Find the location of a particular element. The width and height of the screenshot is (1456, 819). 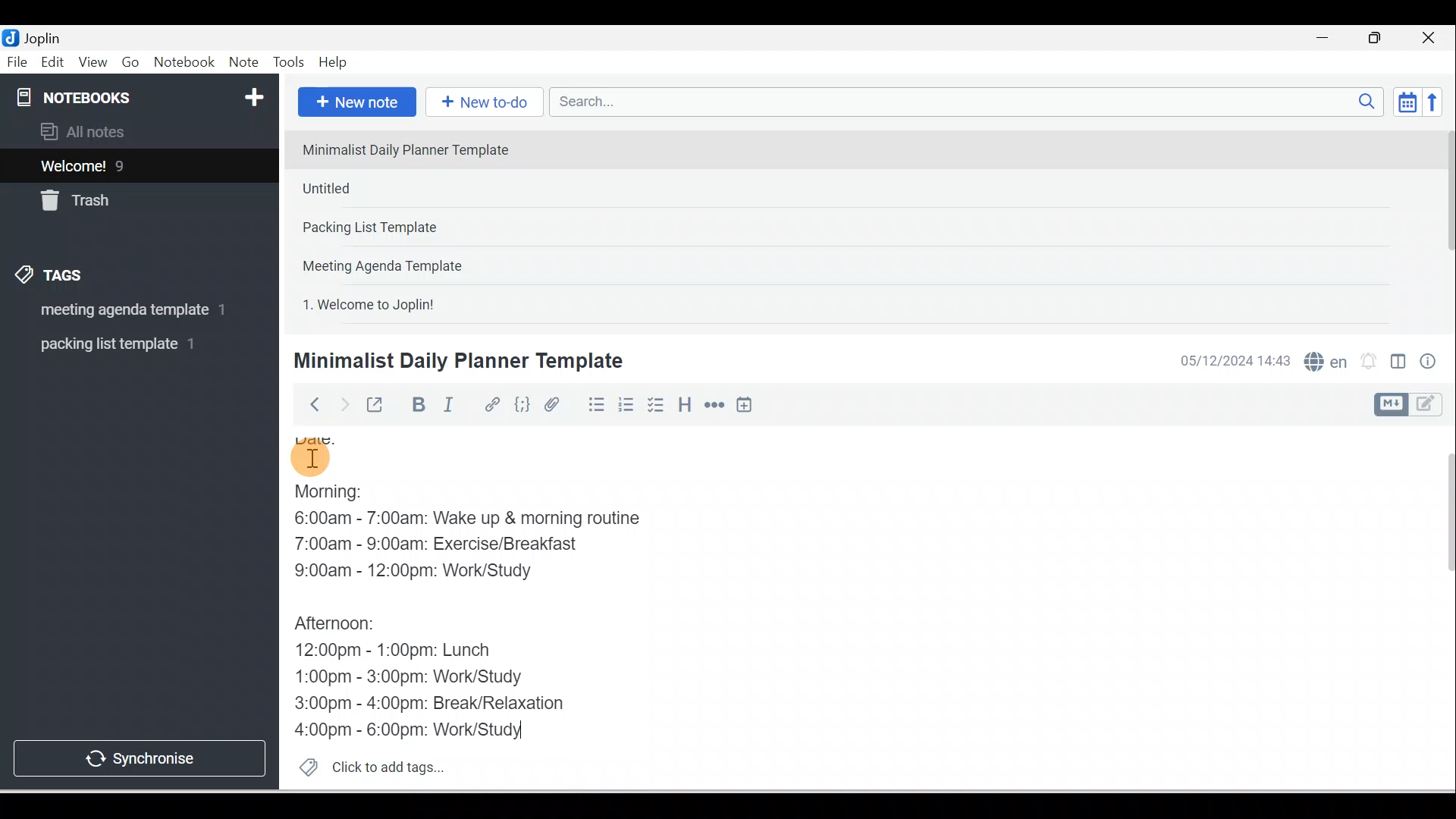

Attach file is located at coordinates (556, 404).